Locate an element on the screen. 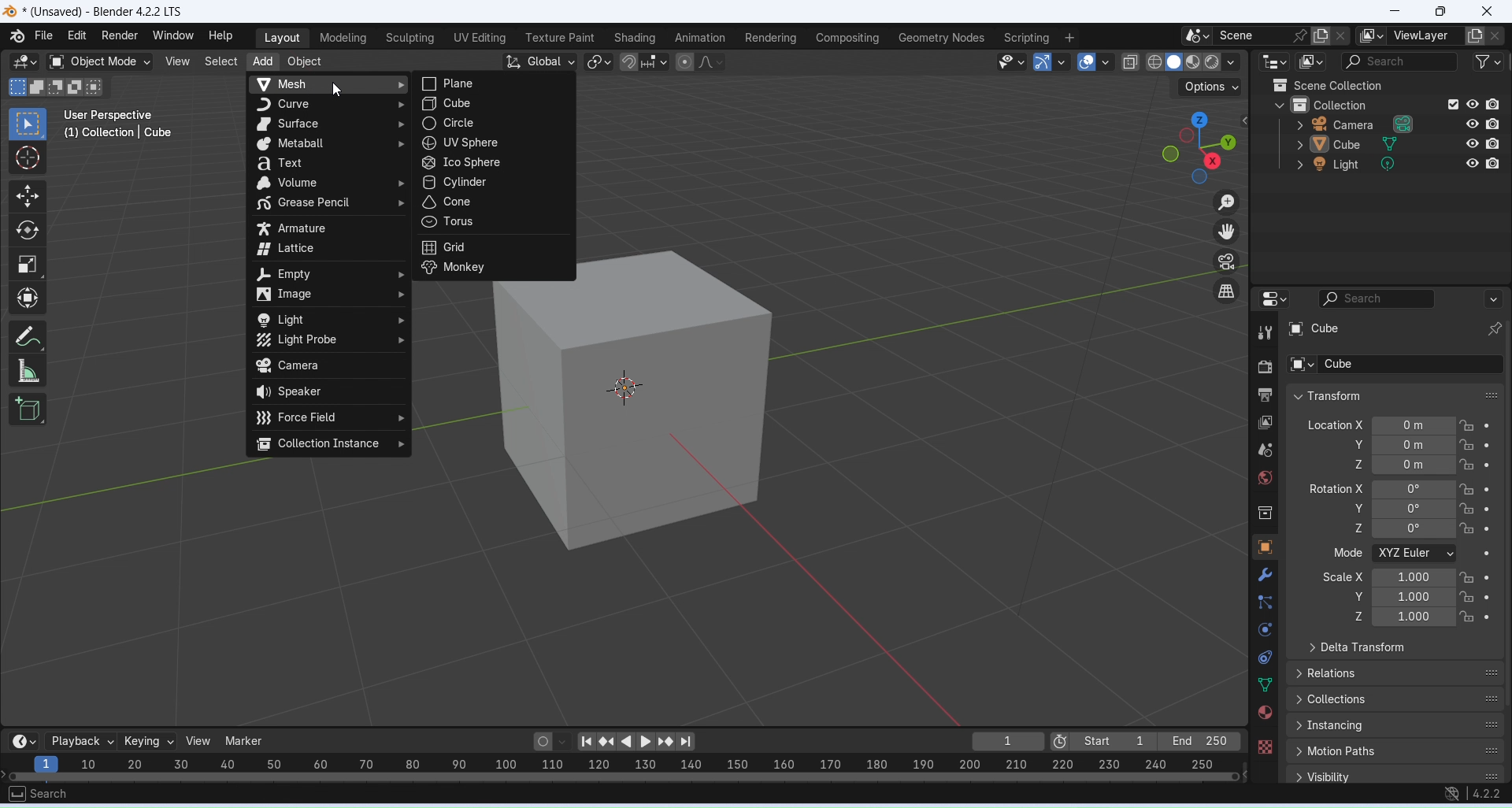  4.2.2 is located at coordinates (1487, 794).